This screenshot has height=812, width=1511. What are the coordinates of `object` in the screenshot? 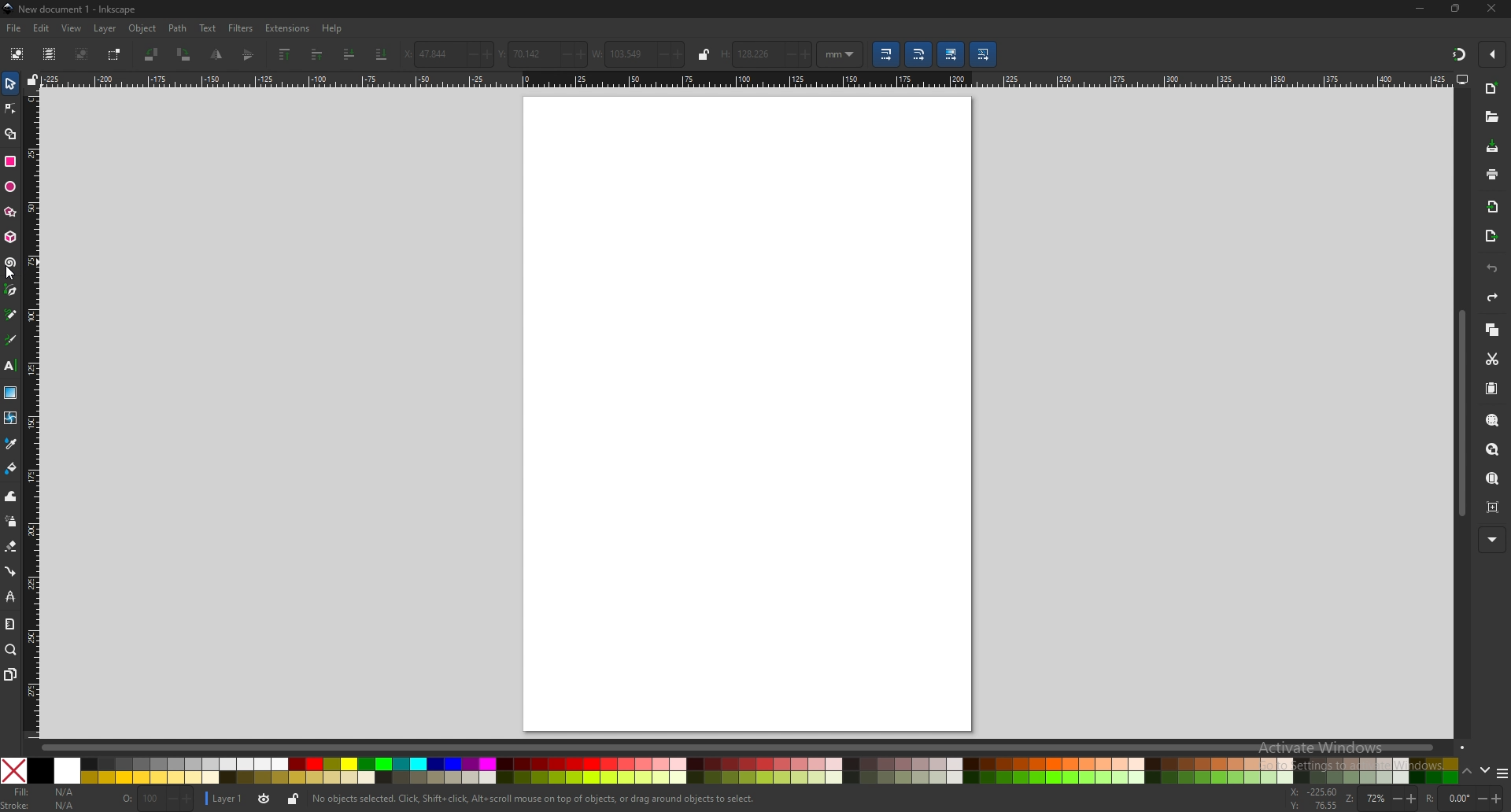 It's located at (143, 28).